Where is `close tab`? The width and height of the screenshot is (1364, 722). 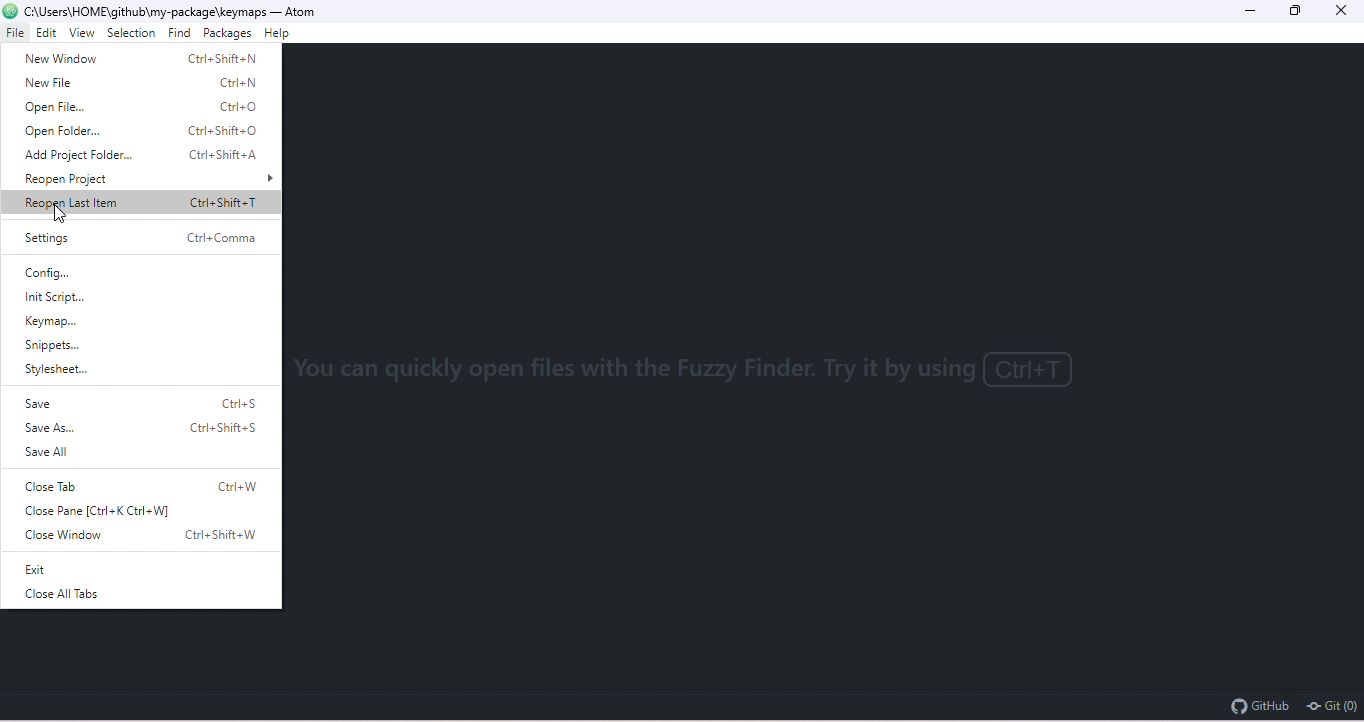 close tab is located at coordinates (144, 487).